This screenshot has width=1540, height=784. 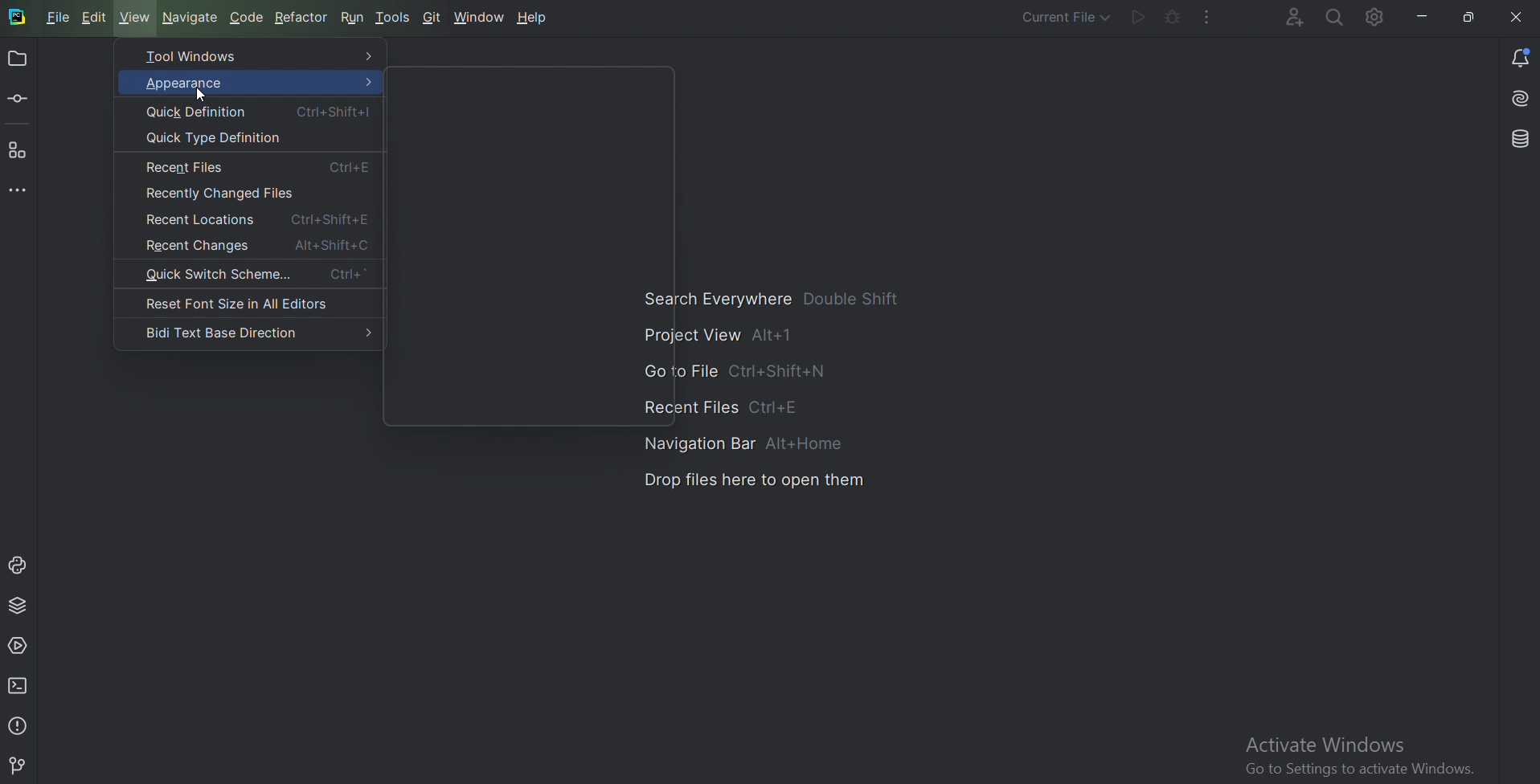 What do you see at coordinates (1207, 17) in the screenshot?
I see `More Actions` at bounding box center [1207, 17].